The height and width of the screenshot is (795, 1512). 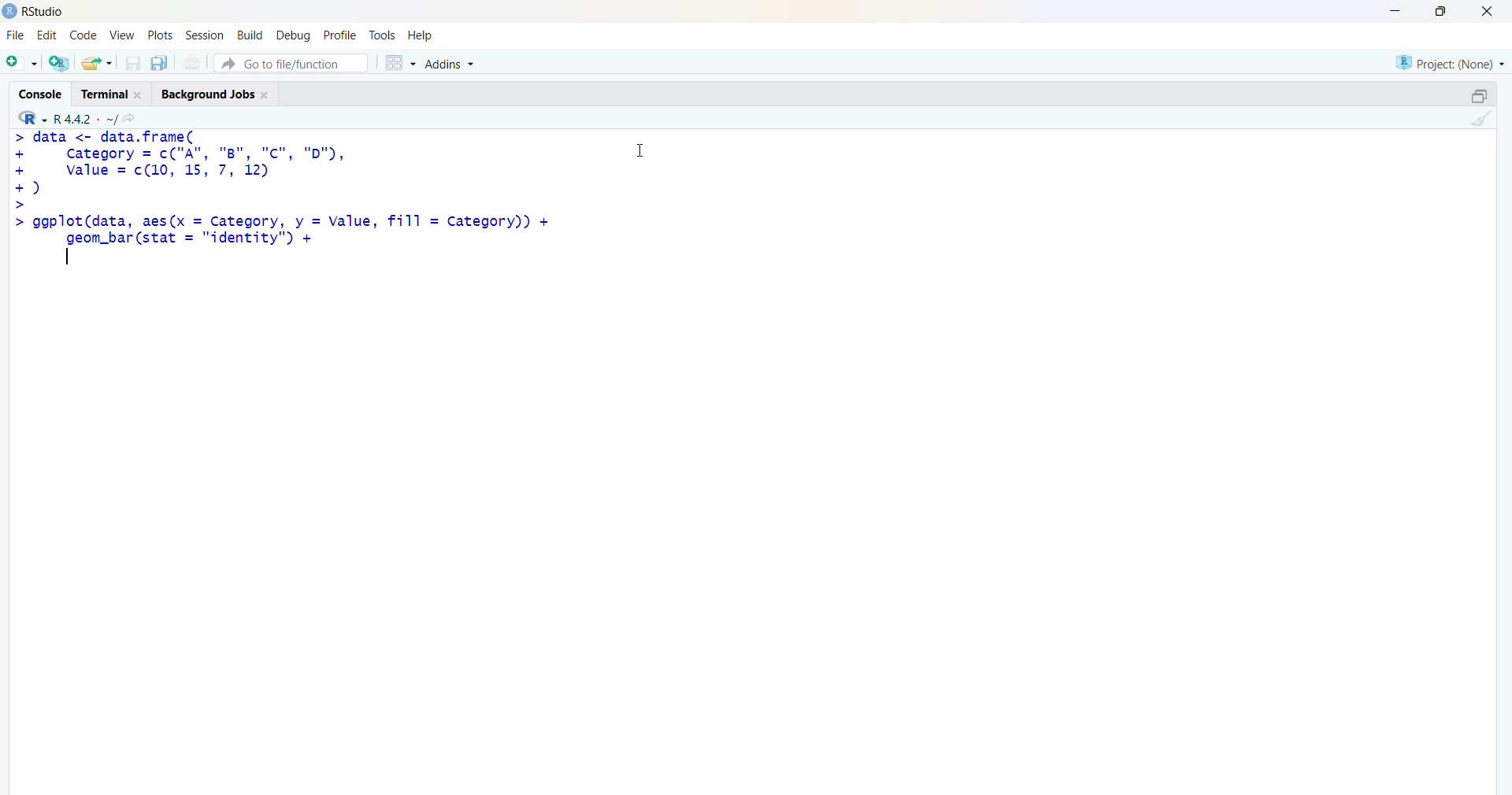 I want to click on Close, so click(x=1484, y=11).